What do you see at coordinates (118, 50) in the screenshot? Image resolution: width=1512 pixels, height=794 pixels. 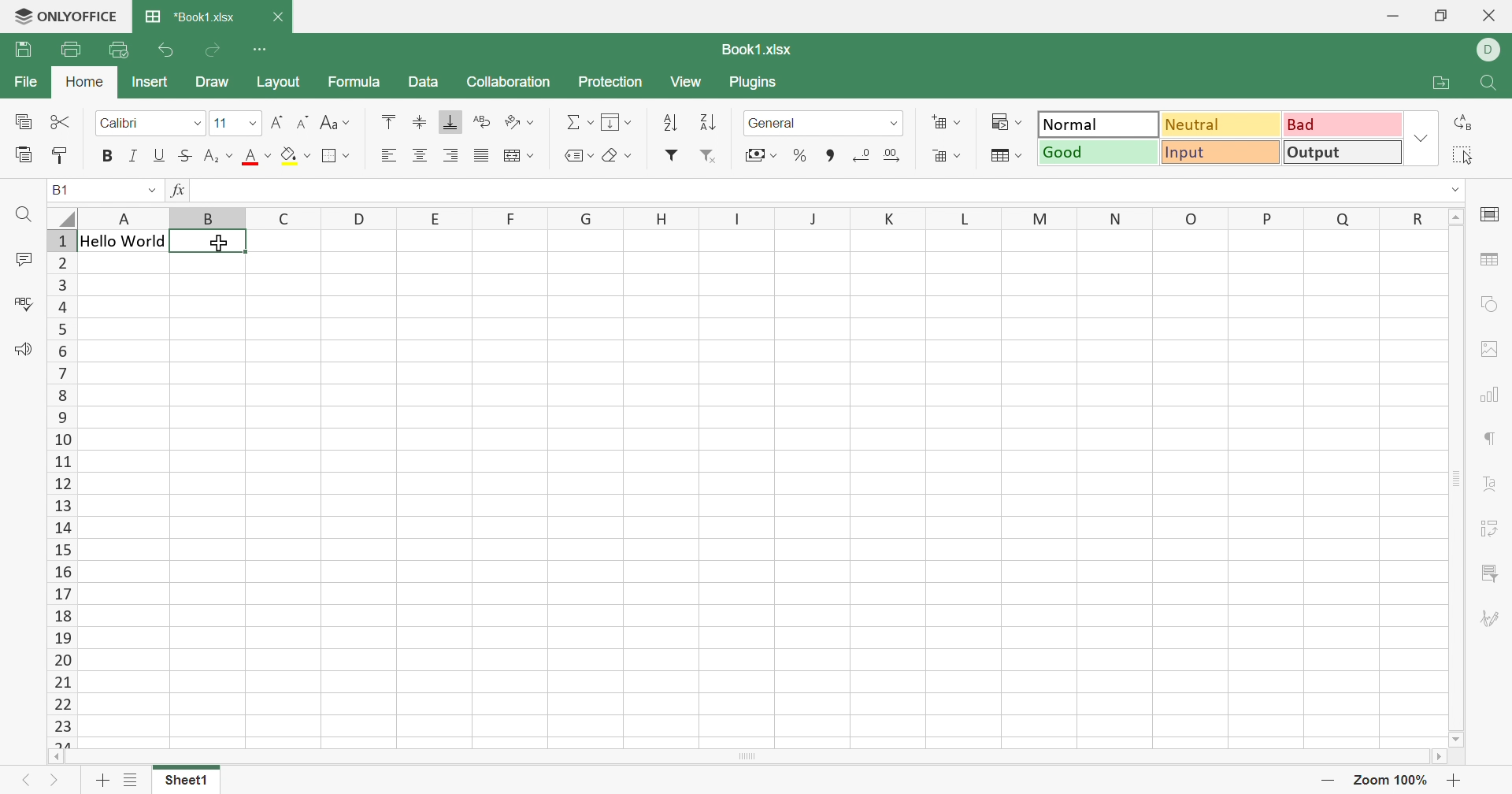 I see `Quick print` at bounding box center [118, 50].